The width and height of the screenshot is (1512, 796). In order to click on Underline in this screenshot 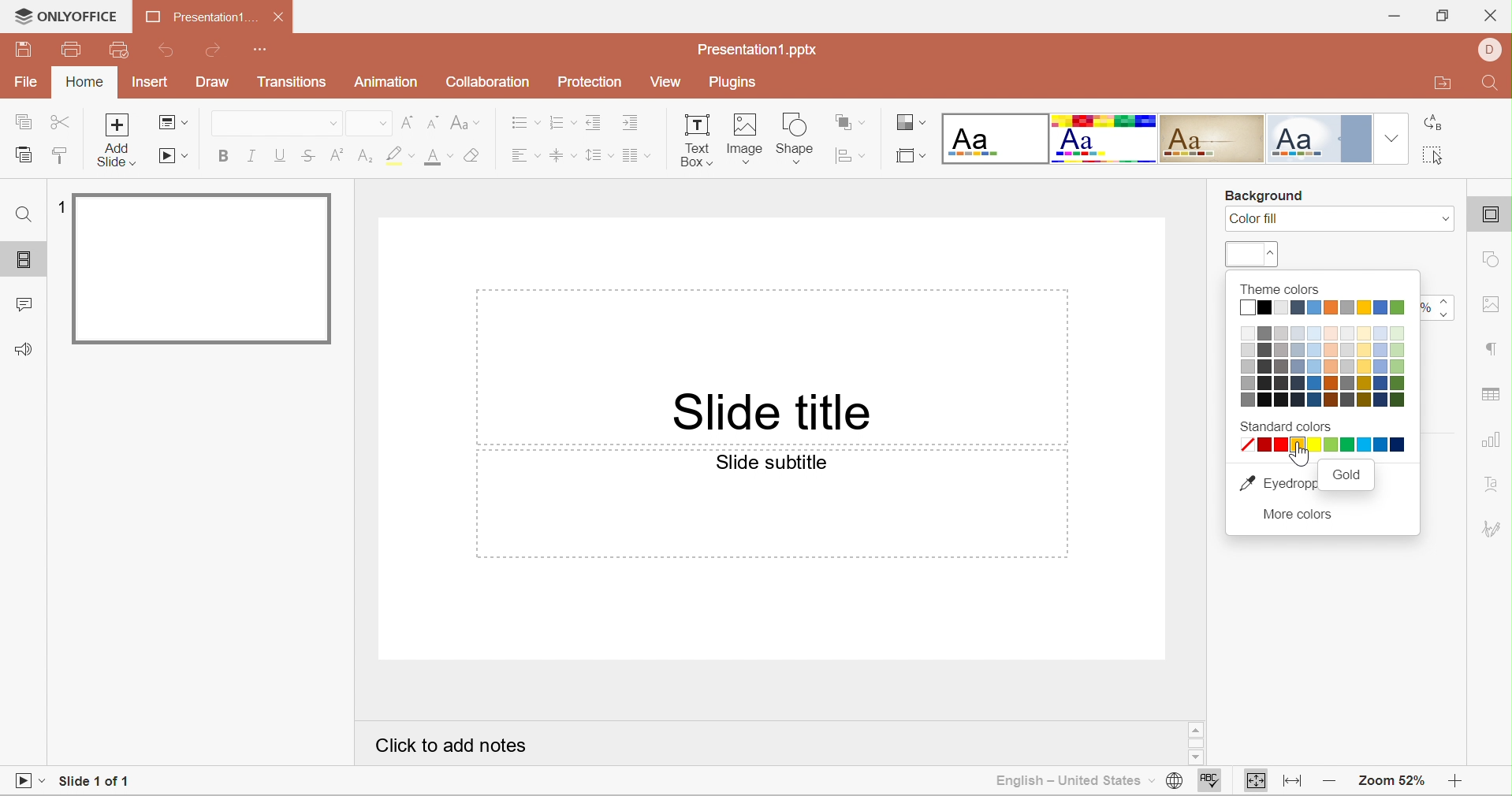, I will do `click(278, 154)`.